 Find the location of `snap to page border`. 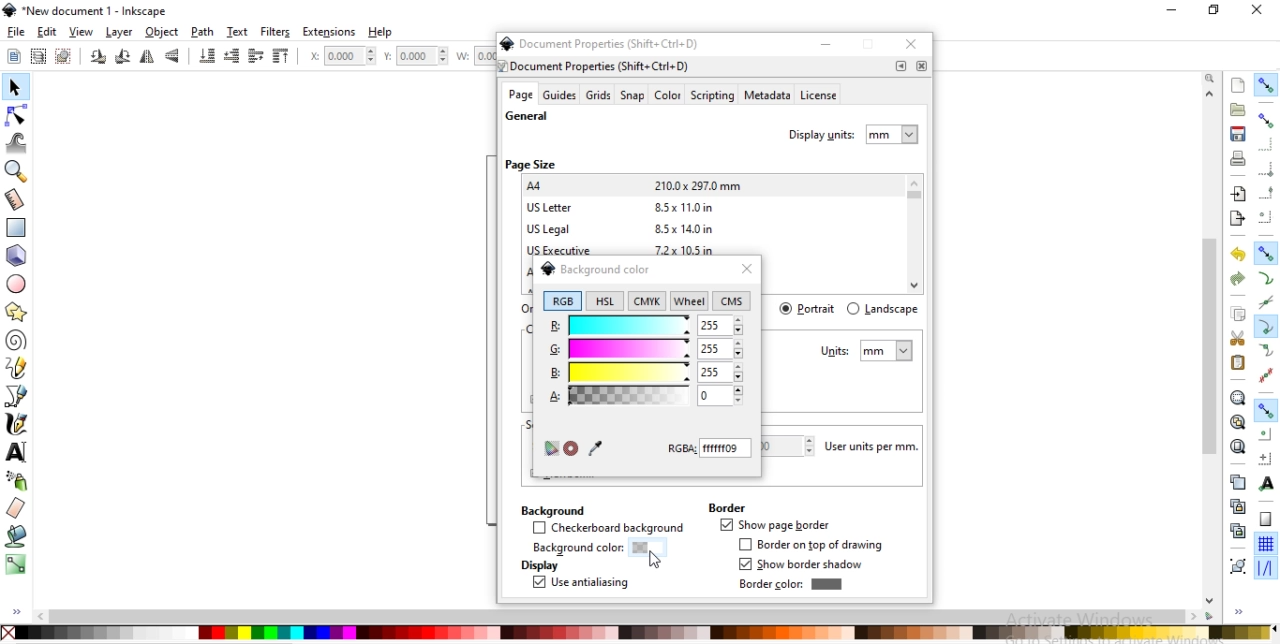

snap to page border is located at coordinates (1266, 520).